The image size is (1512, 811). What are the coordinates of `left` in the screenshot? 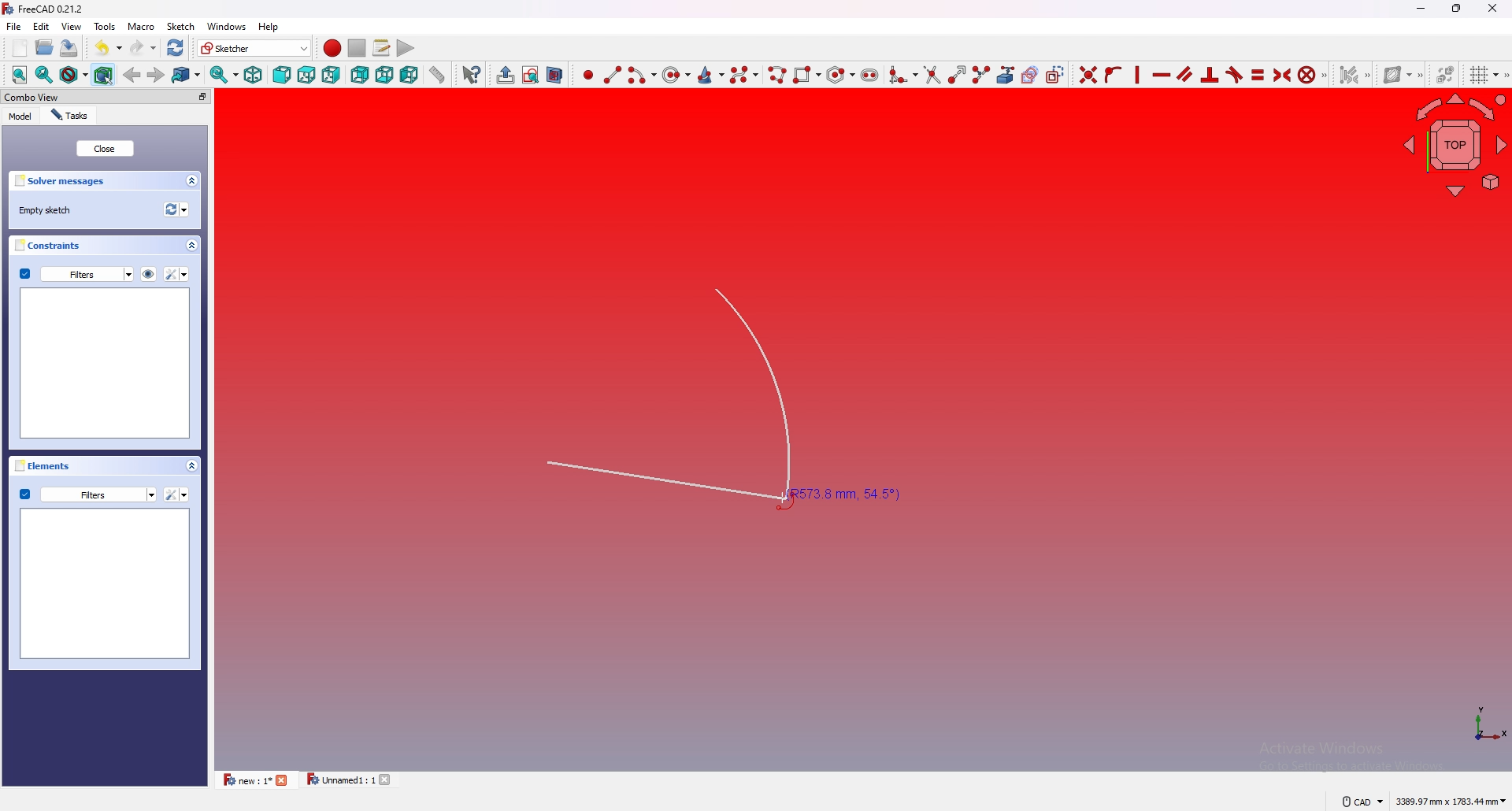 It's located at (411, 75).